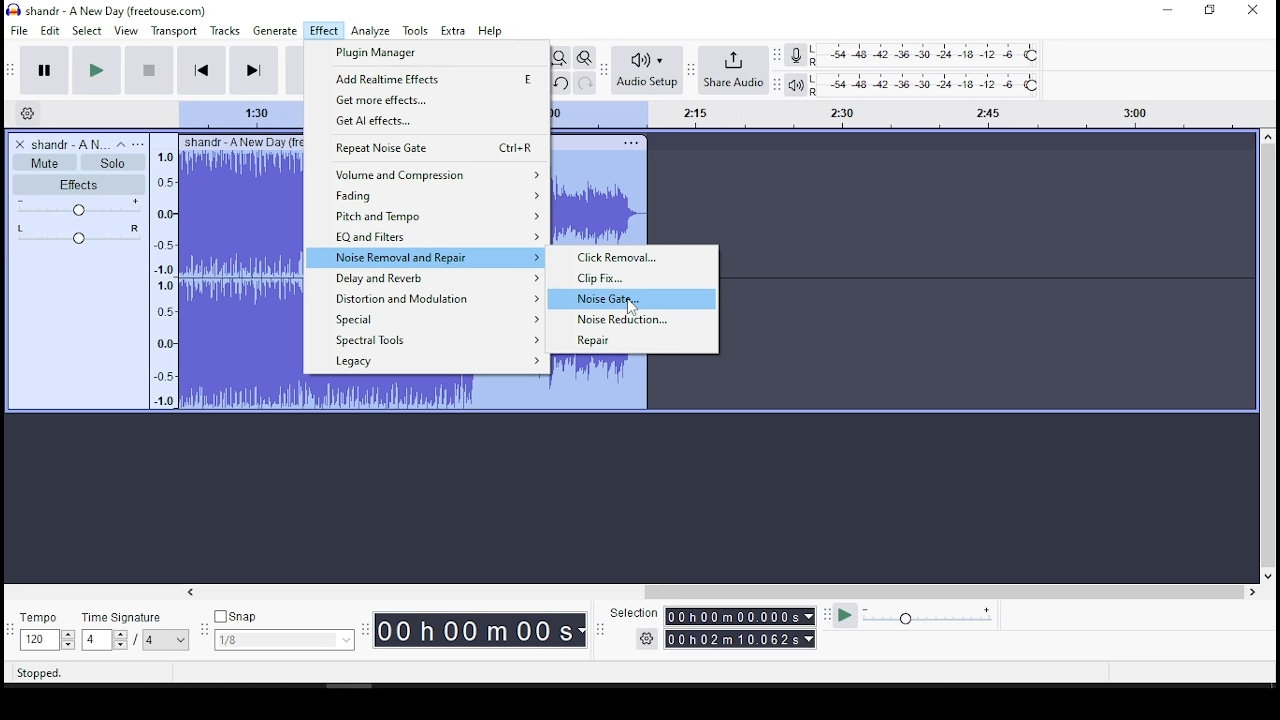 This screenshot has width=1280, height=720. Describe the element at coordinates (426, 236) in the screenshot. I see `EQ and filter` at that location.